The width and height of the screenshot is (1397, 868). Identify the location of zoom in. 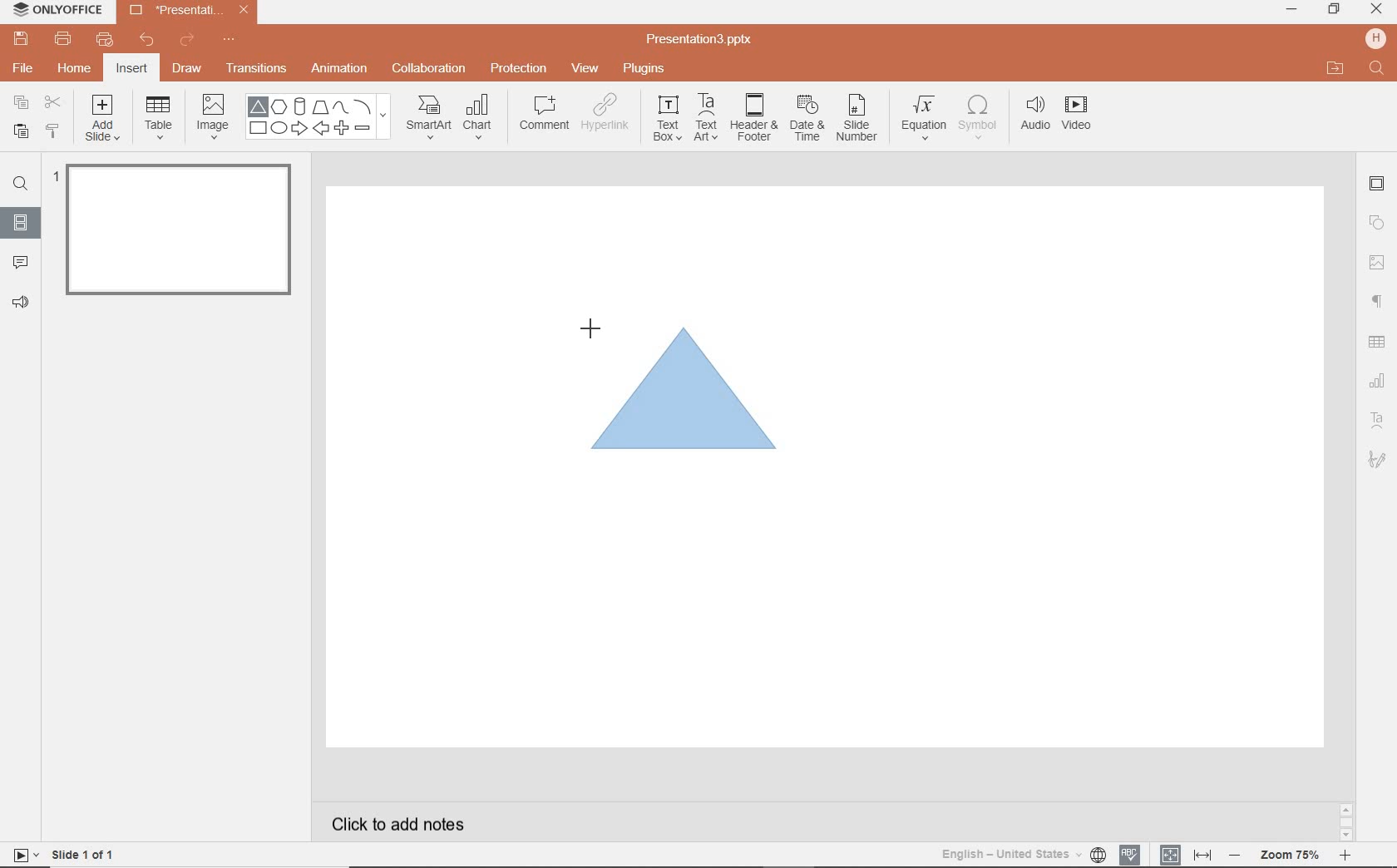
(1345, 857).